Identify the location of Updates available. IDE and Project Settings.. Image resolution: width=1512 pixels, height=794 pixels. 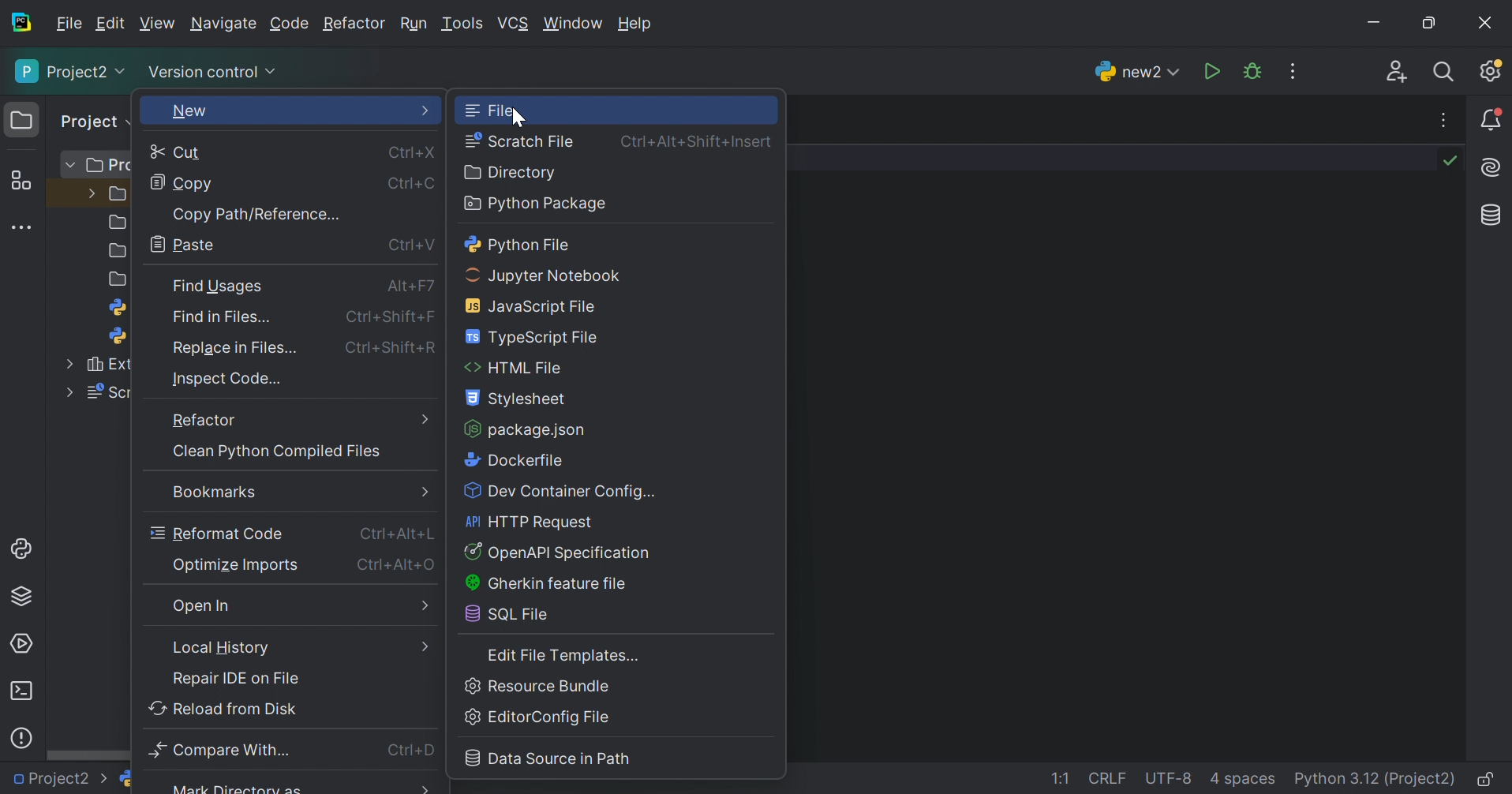
(1295, 71).